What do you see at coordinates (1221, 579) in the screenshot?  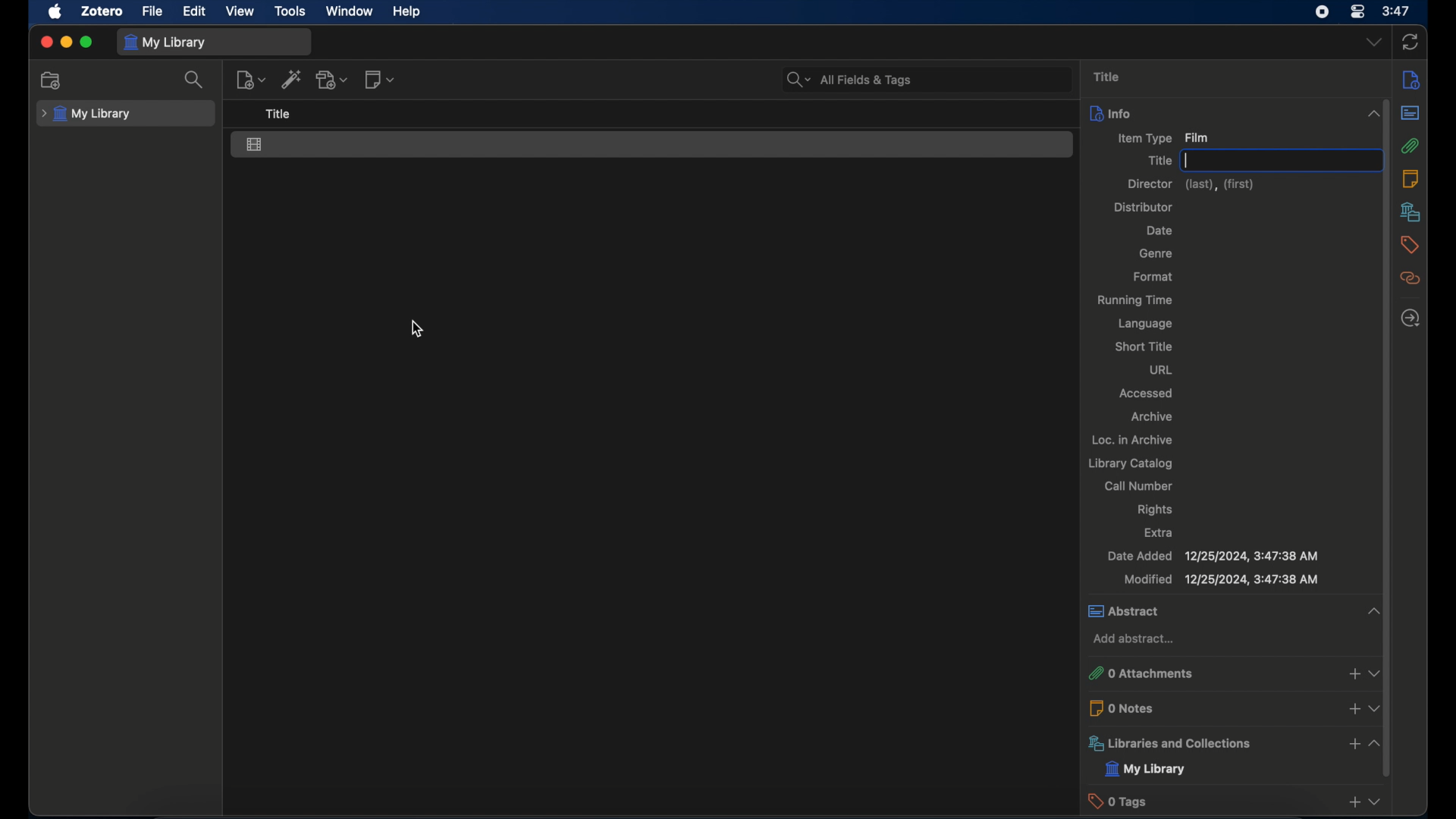 I see `modified` at bounding box center [1221, 579].